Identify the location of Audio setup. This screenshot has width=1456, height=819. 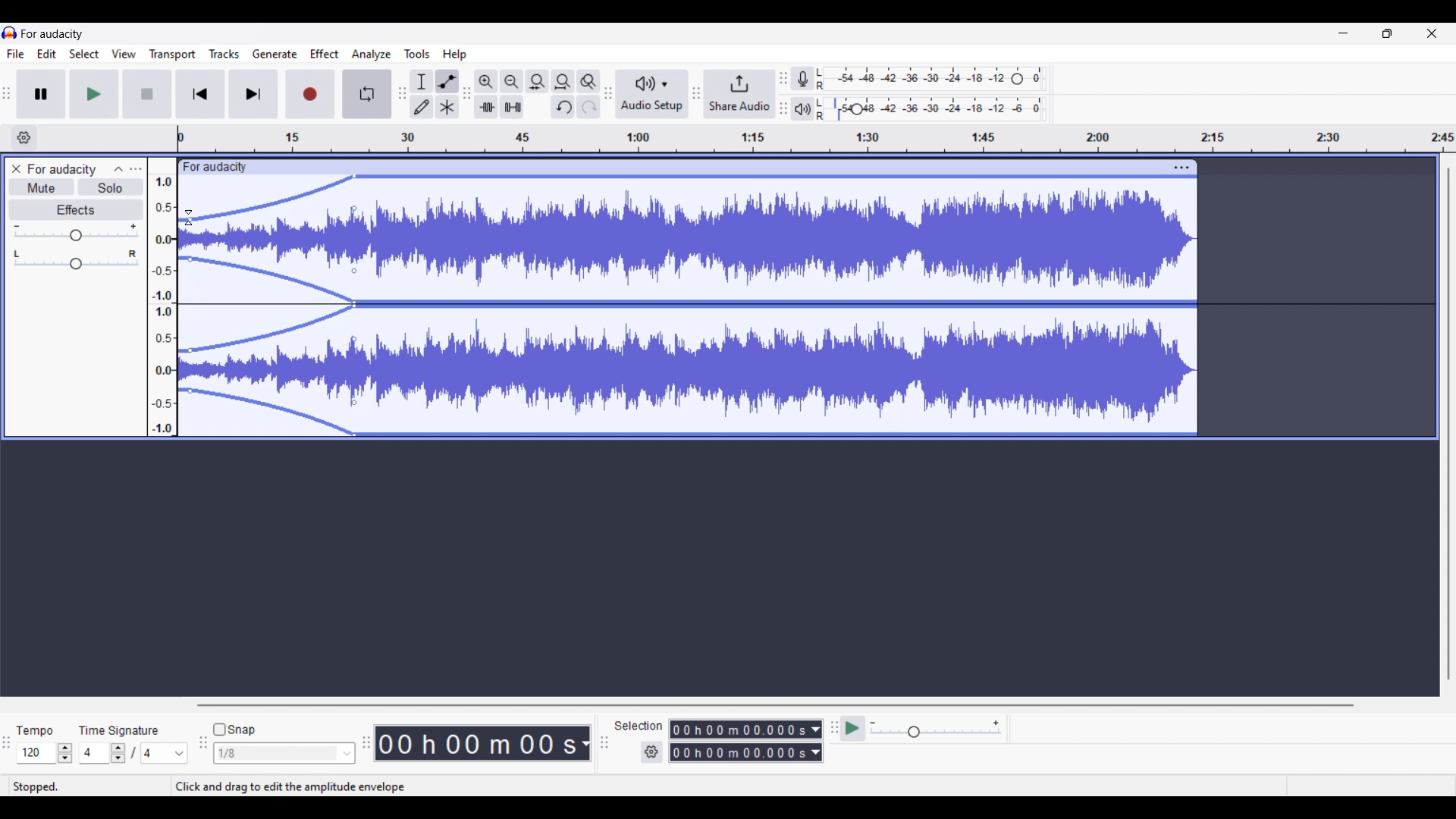
(652, 94).